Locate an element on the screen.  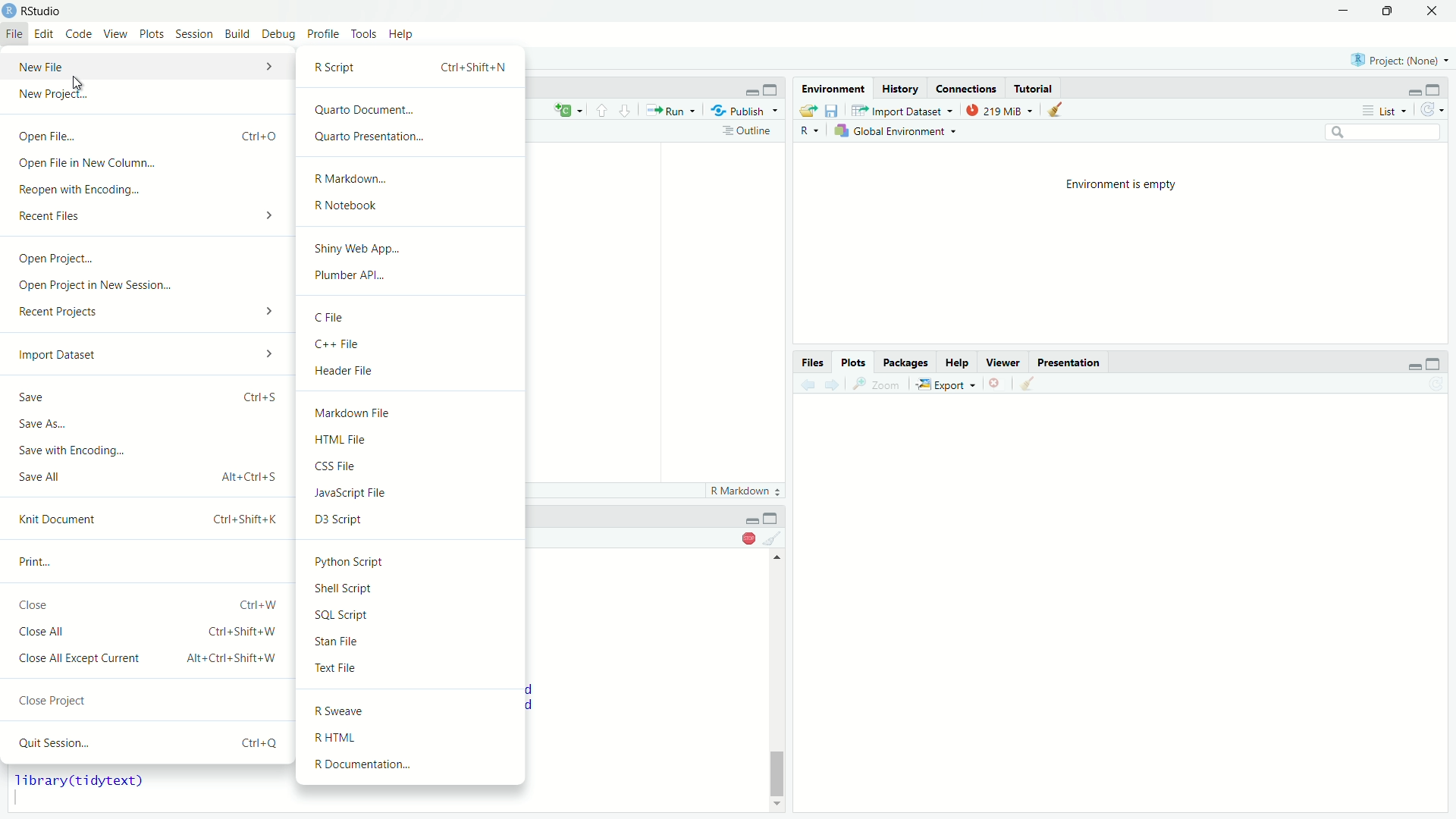
Open Project... is located at coordinates (147, 260).